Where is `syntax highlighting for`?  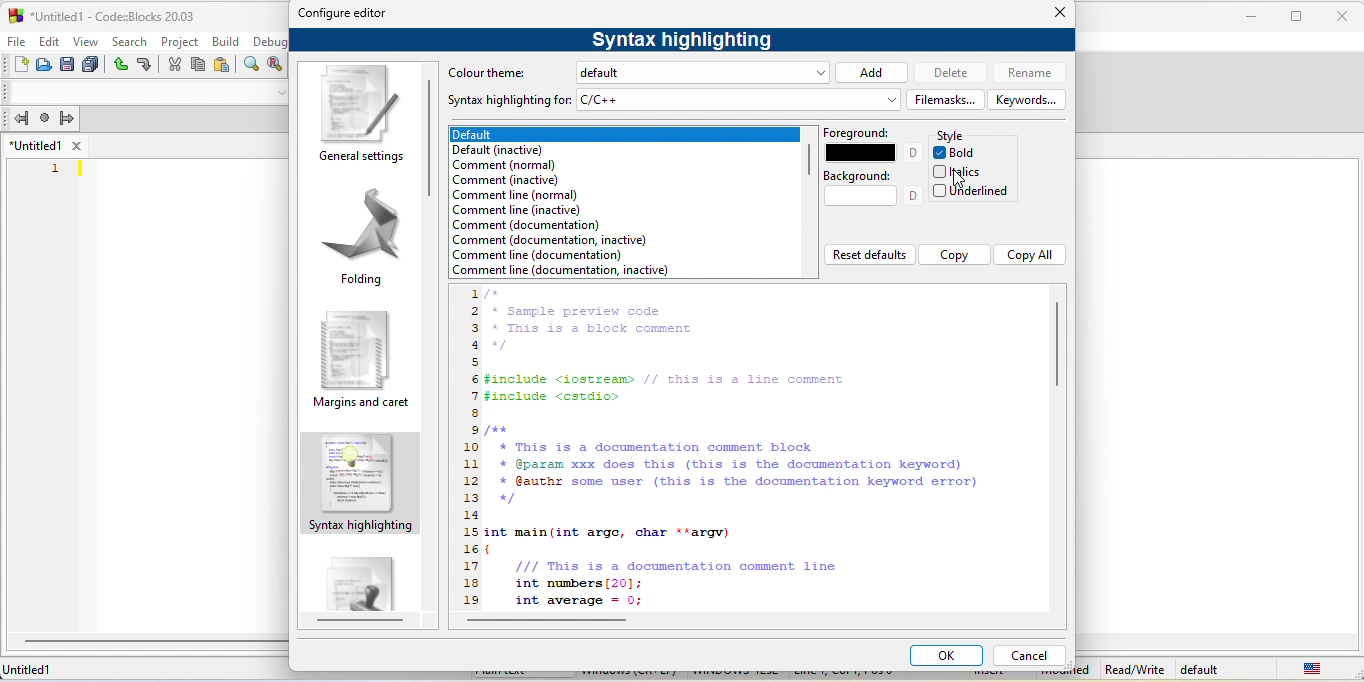
syntax highlighting for is located at coordinates (509, 101).